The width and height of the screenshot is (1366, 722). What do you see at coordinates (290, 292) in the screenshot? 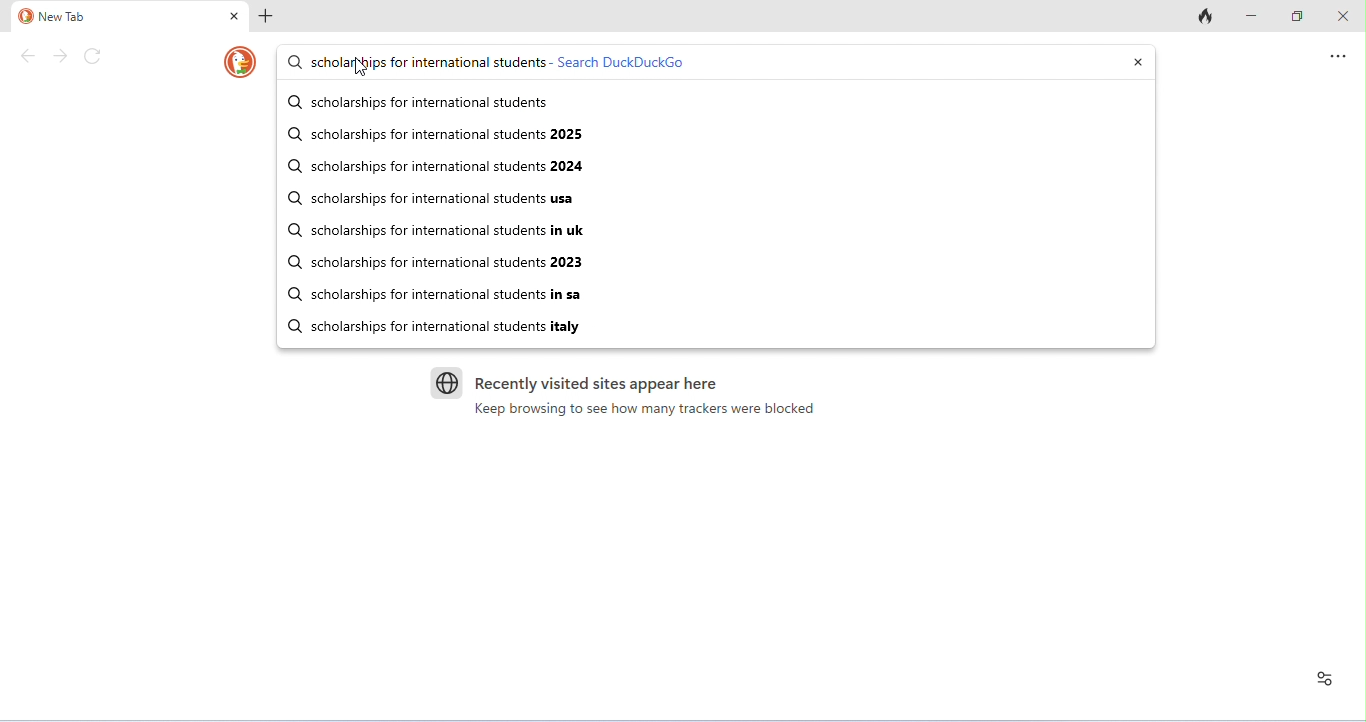
I see `search icon` at bounding box center [290, 292].